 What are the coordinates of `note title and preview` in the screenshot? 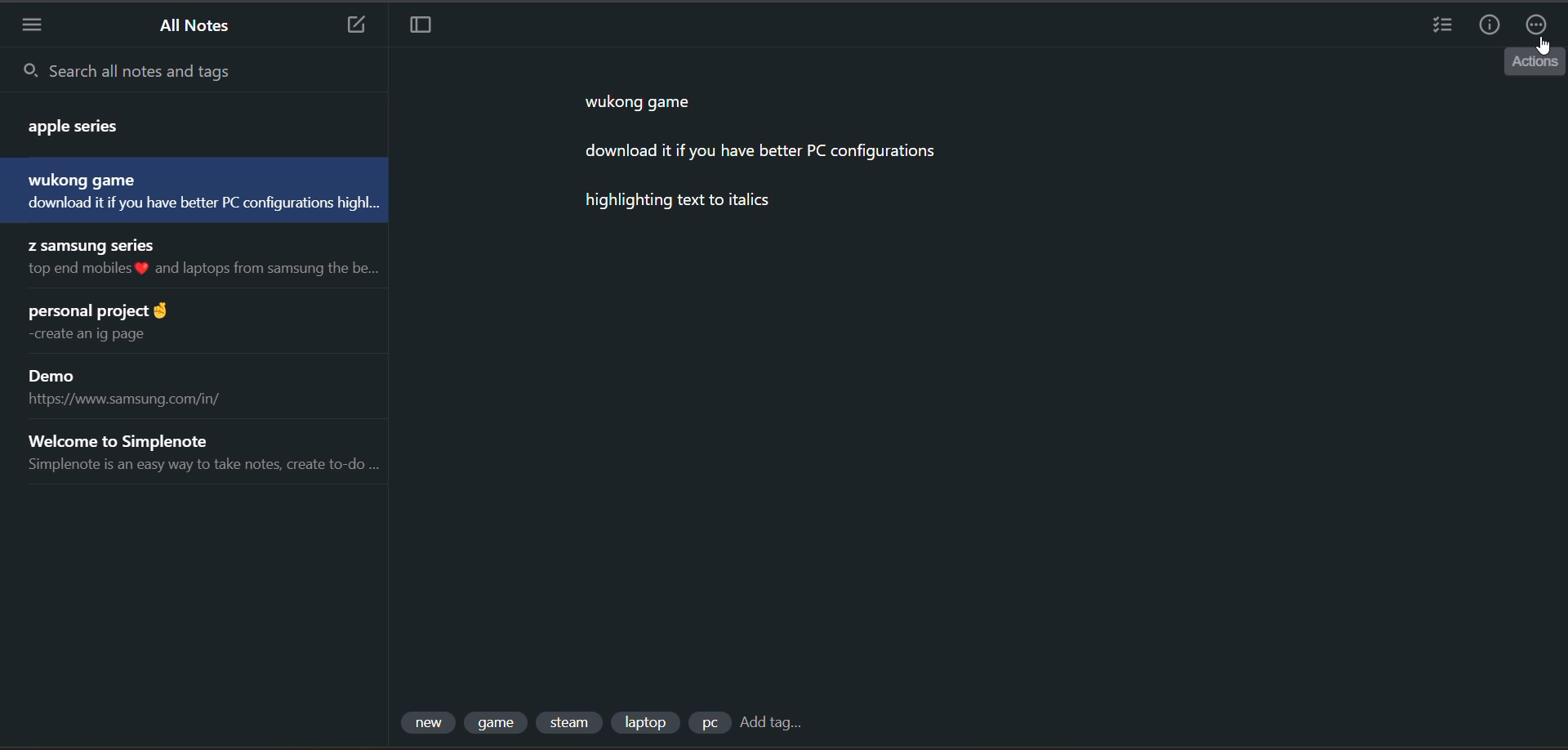 It's located at (209, 261).